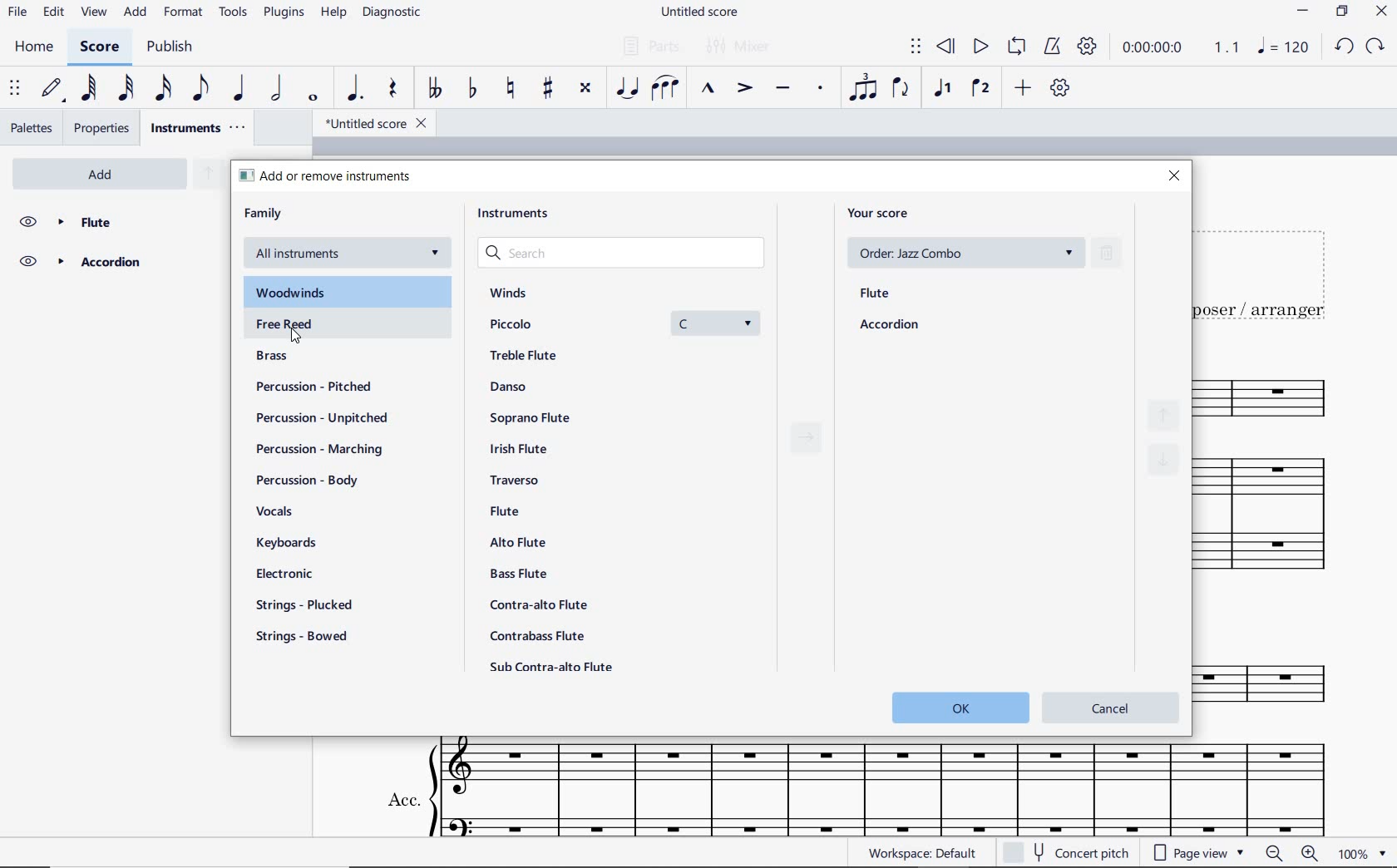 Image resolution: width=1397 pixels, height=868 pixels. Describe the element at coordinates (713, 323) in the screenshot. I see `c` at that location.